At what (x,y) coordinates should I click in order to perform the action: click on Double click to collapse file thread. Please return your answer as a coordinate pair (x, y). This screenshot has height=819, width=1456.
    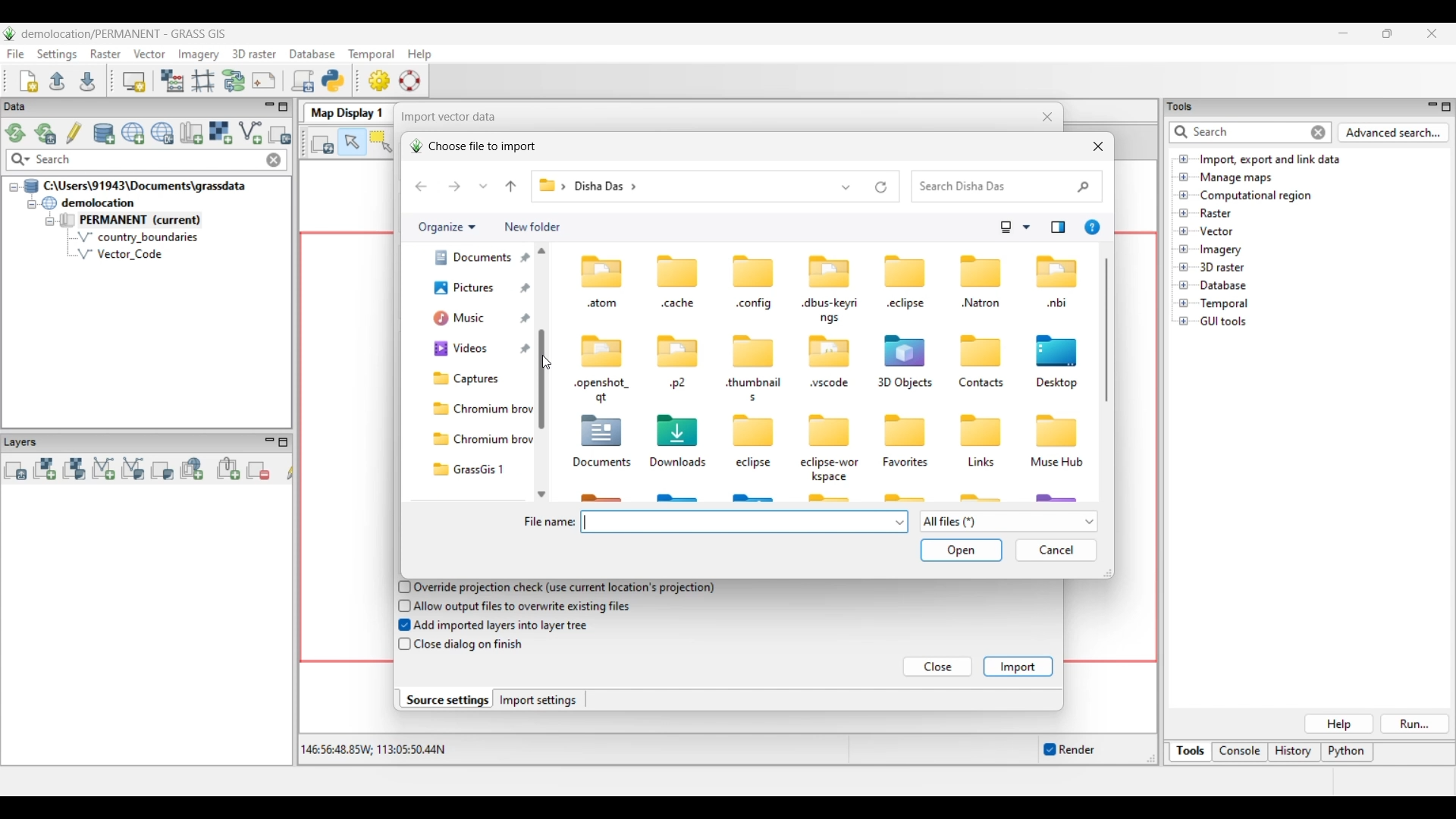
    Looking at the image, I should click on (135, 186).